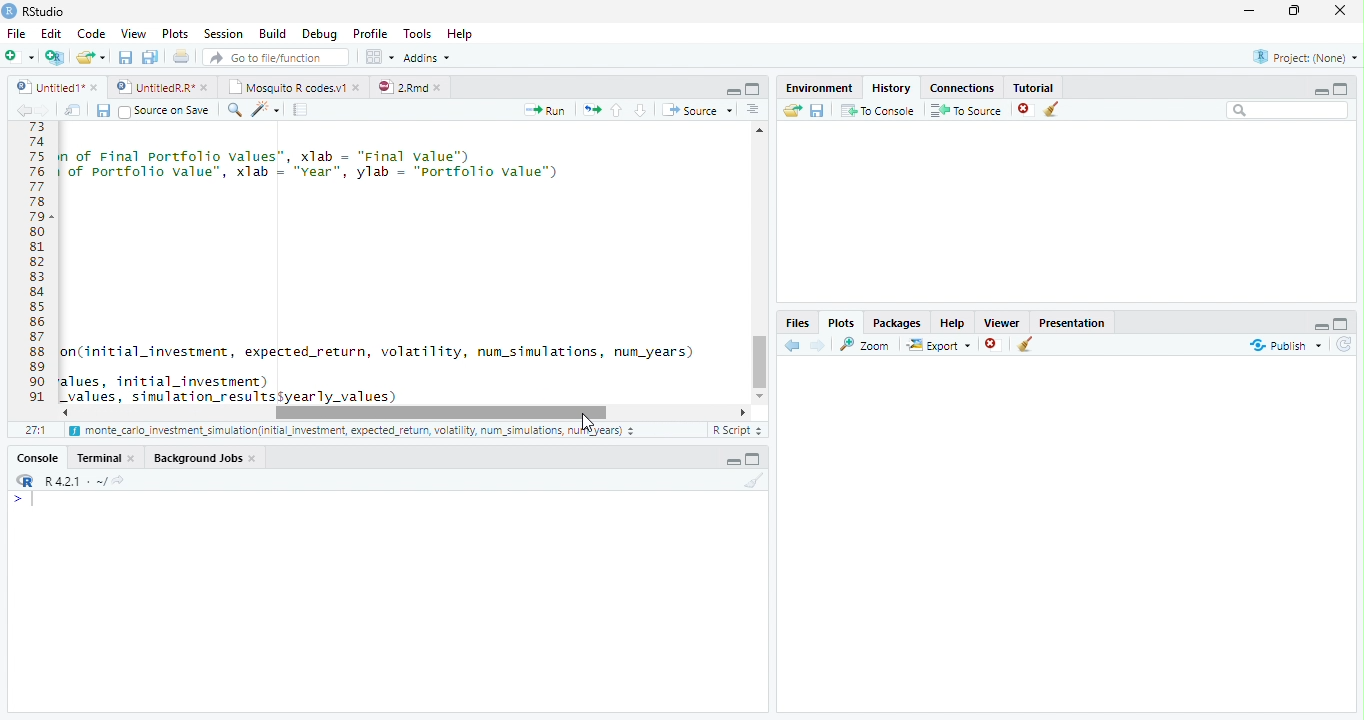  Describe the element at coordinates (354, 432) in the screenshot. I see `monte_cario investment _simuiation{initial investment, expected_return, volatility, num simulations, num years)` at that location.